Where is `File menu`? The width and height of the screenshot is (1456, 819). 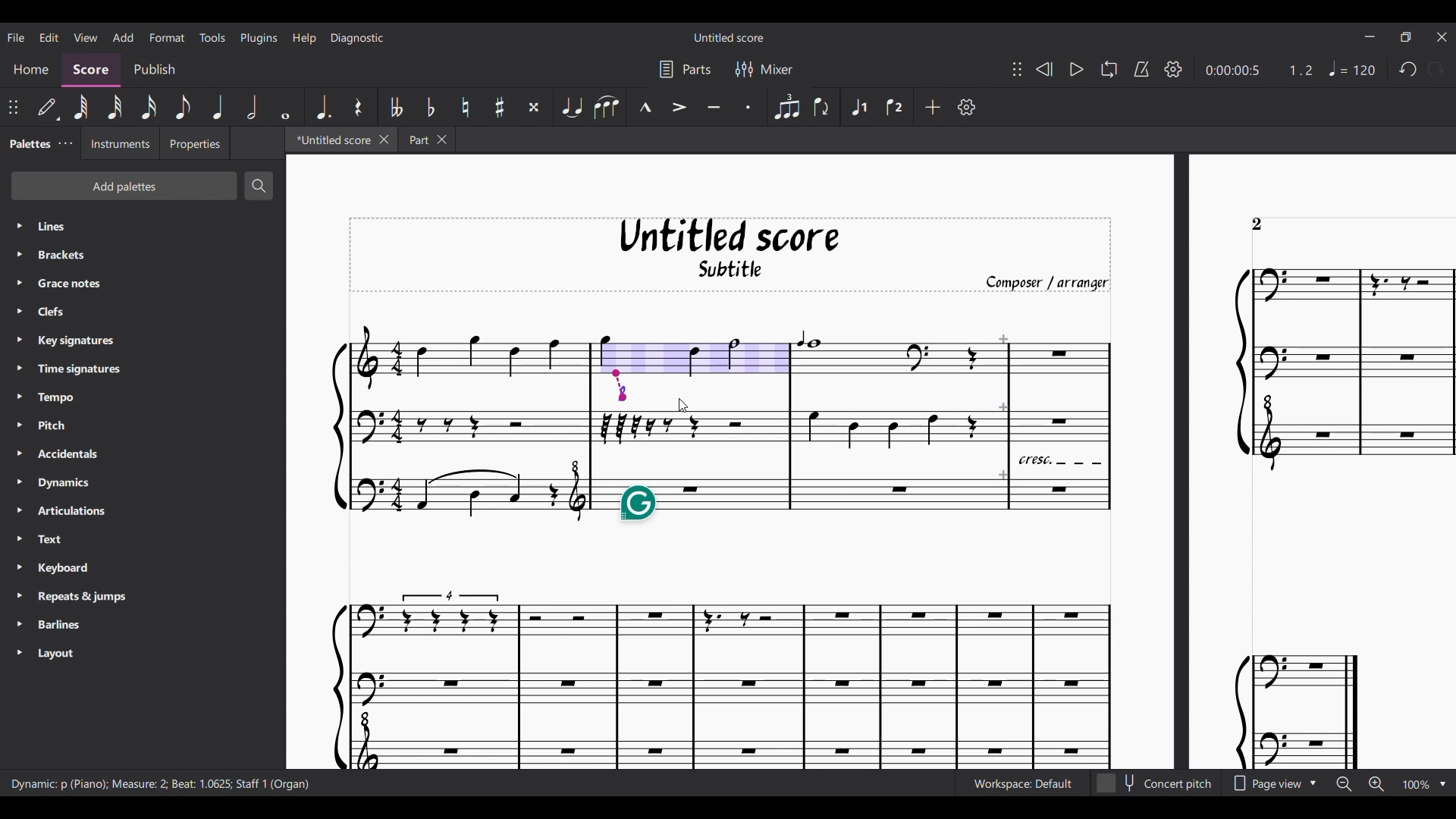
File menu is located at coordinates (16, 37).